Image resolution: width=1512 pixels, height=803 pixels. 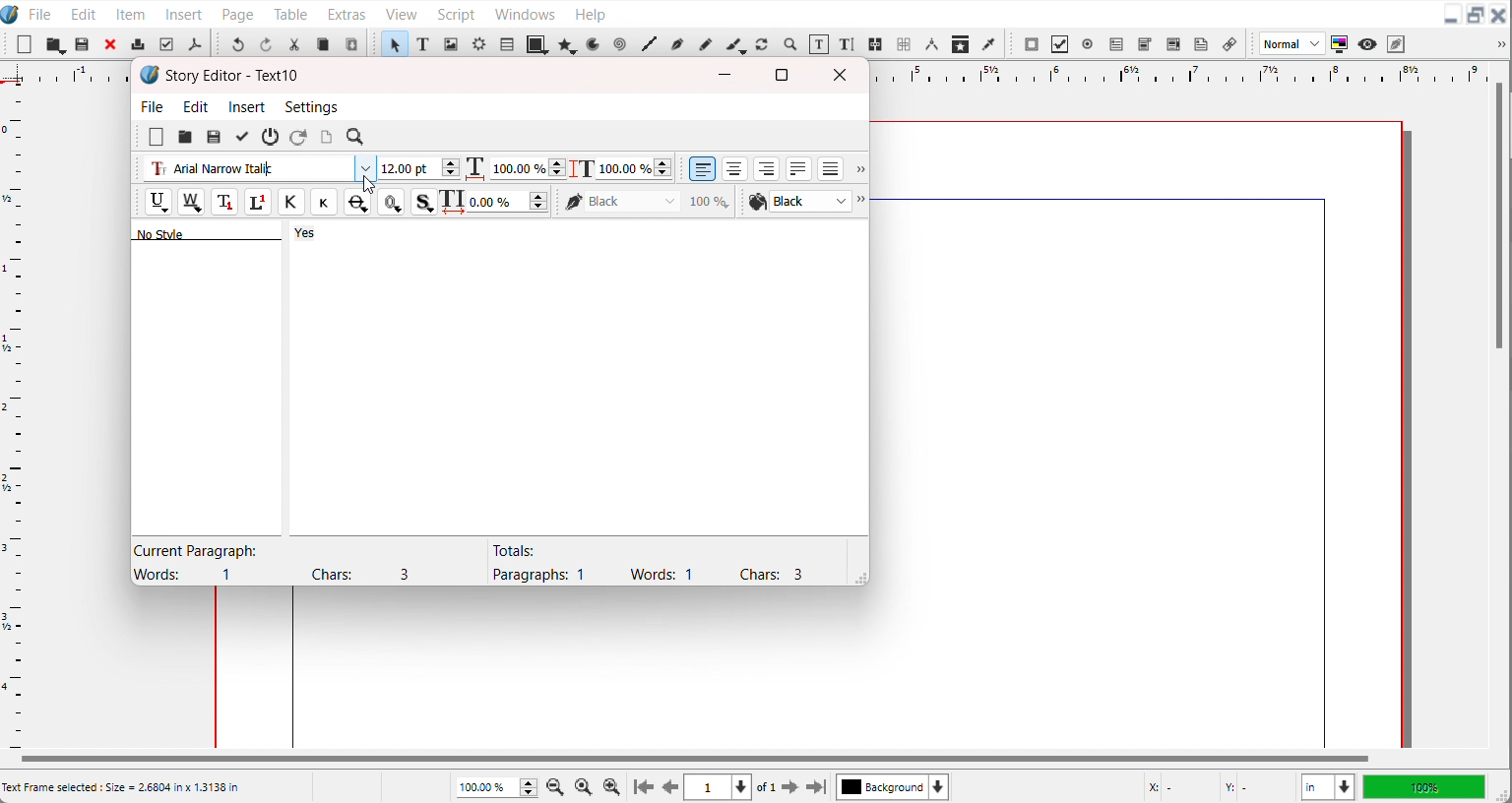 I want to click on Align text right, so click(x=767, y=168).